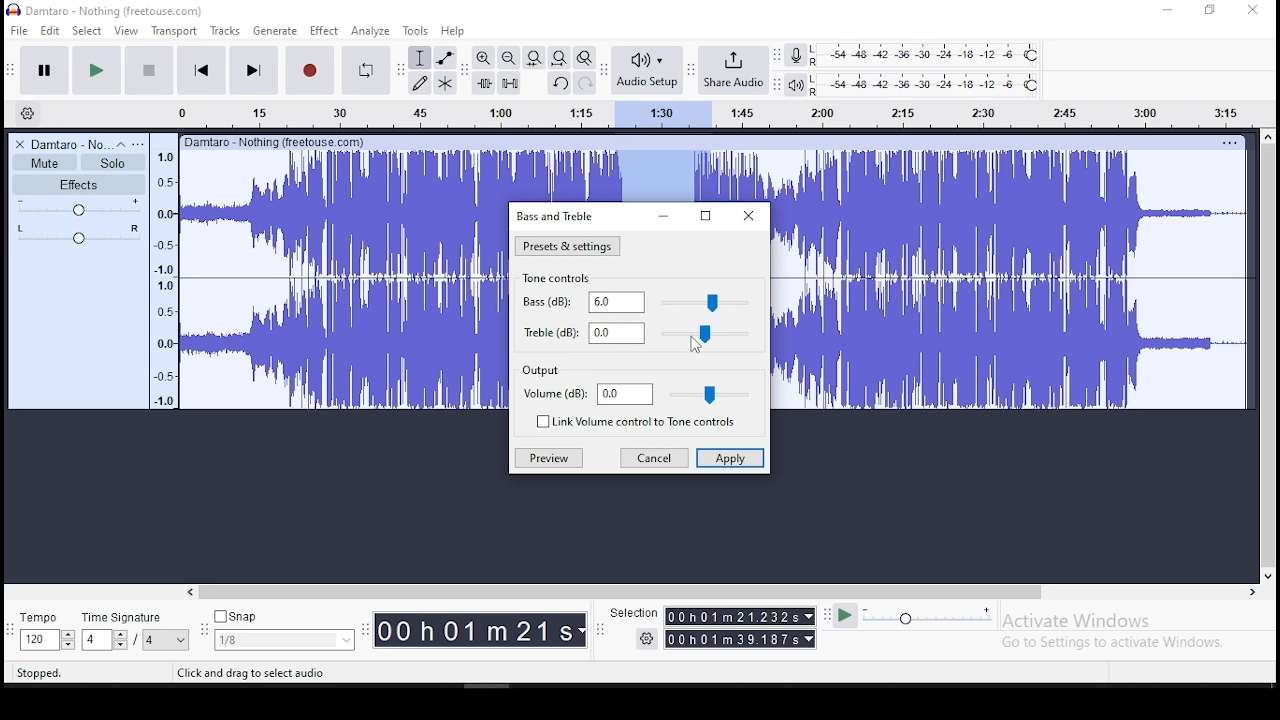 The height and width of the screenshot is (720, 1280). What do you see at coordinates (343, 344) in the screenshot?
I see `audio track` at bounding box center [343, 344].